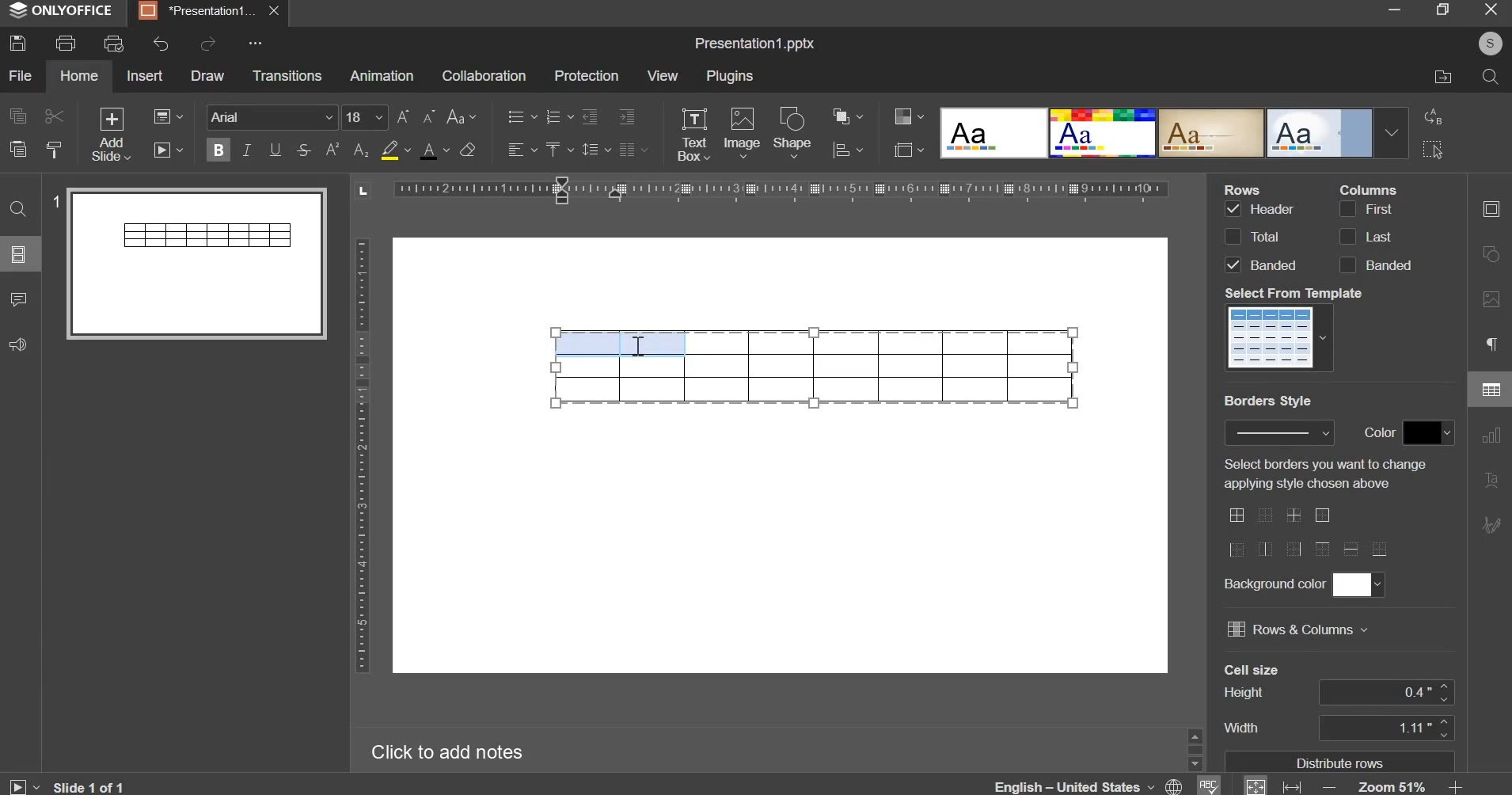 The height and width of the screenshot is (795, 1512). I want to click on horizontal scale, so click(762, 192).